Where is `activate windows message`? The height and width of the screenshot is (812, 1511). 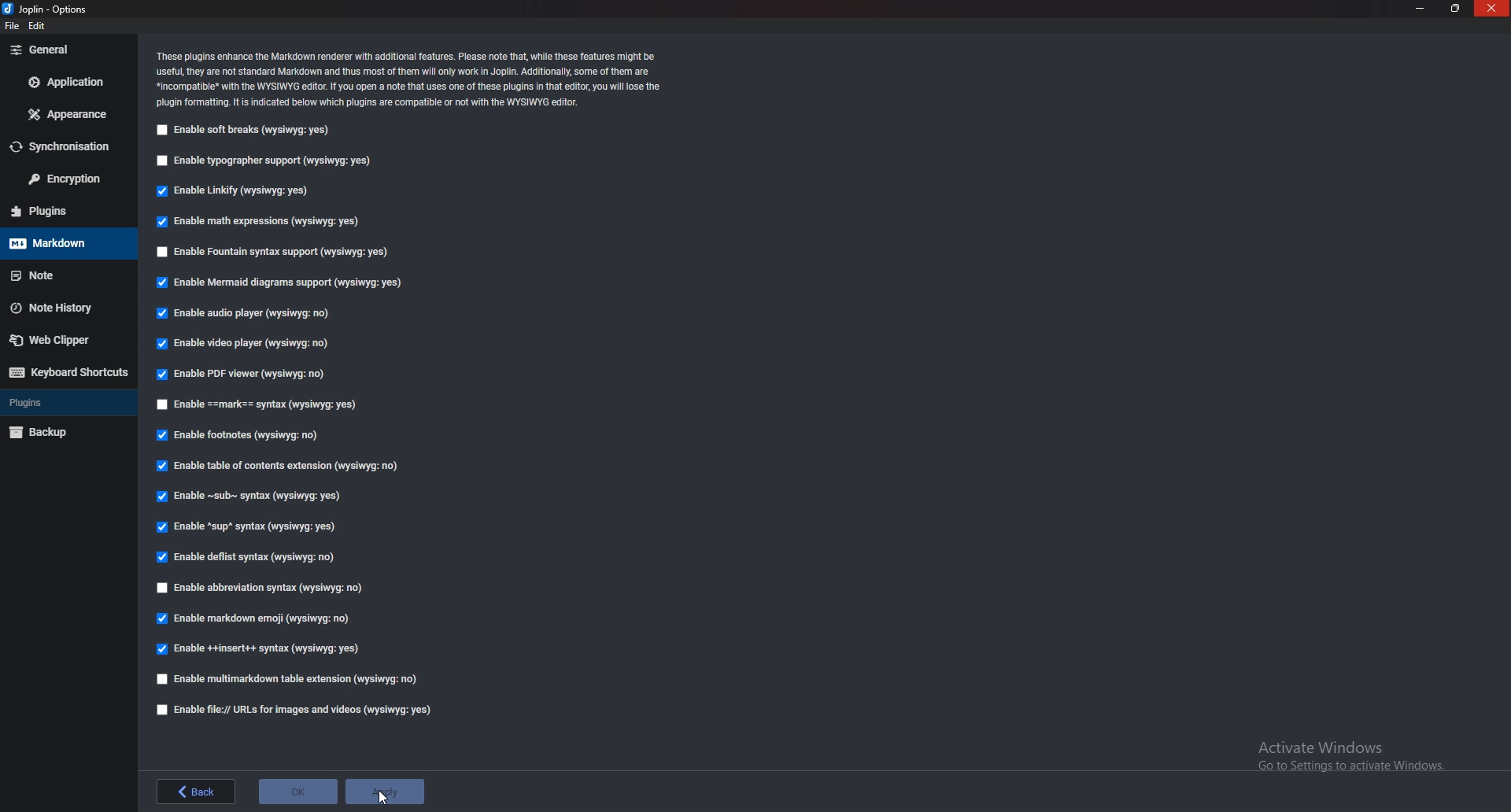
activate windows message is located at coordinates (1354, 758).